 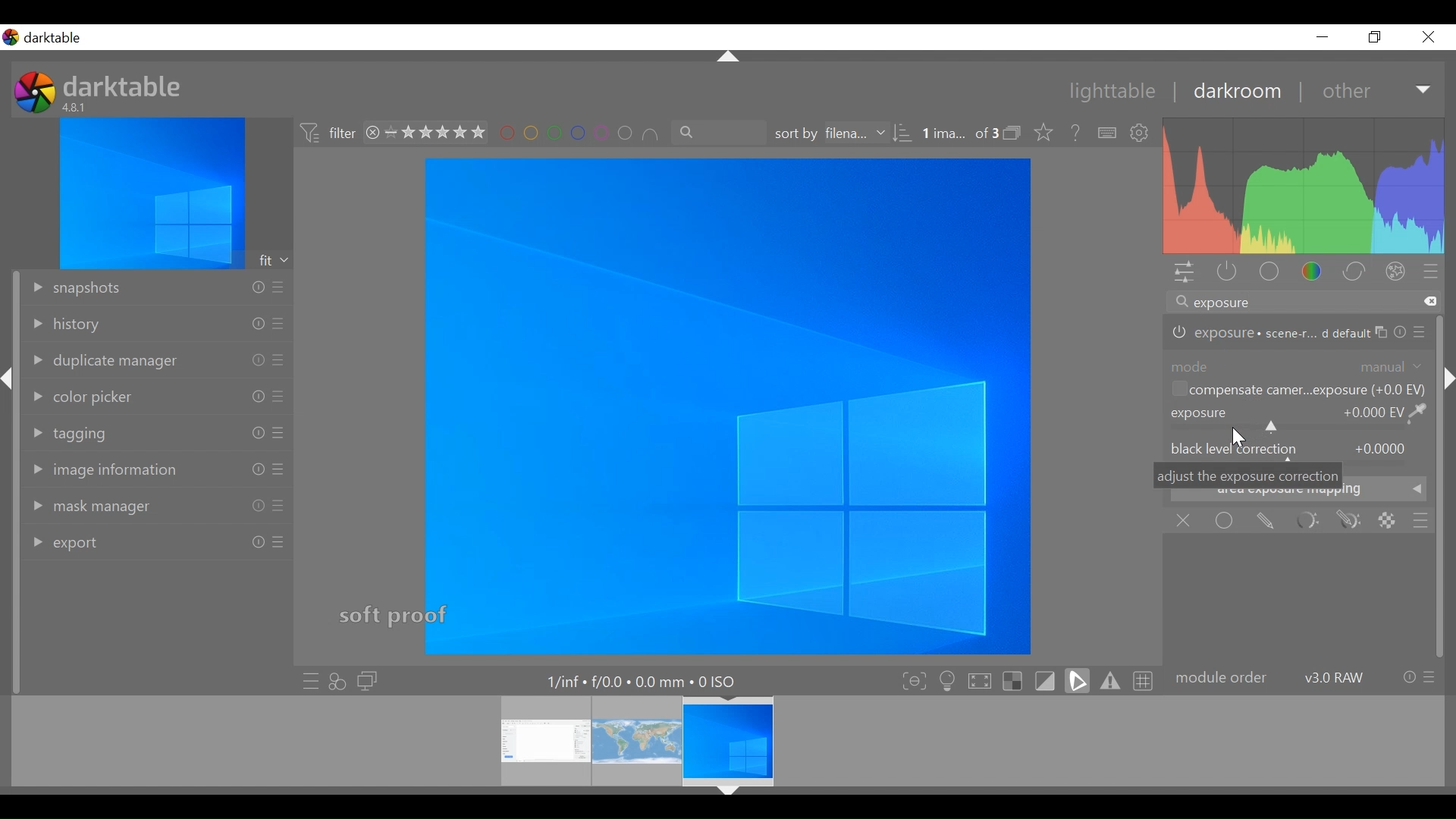 I want to click on base, so click(x=1268, y=272).